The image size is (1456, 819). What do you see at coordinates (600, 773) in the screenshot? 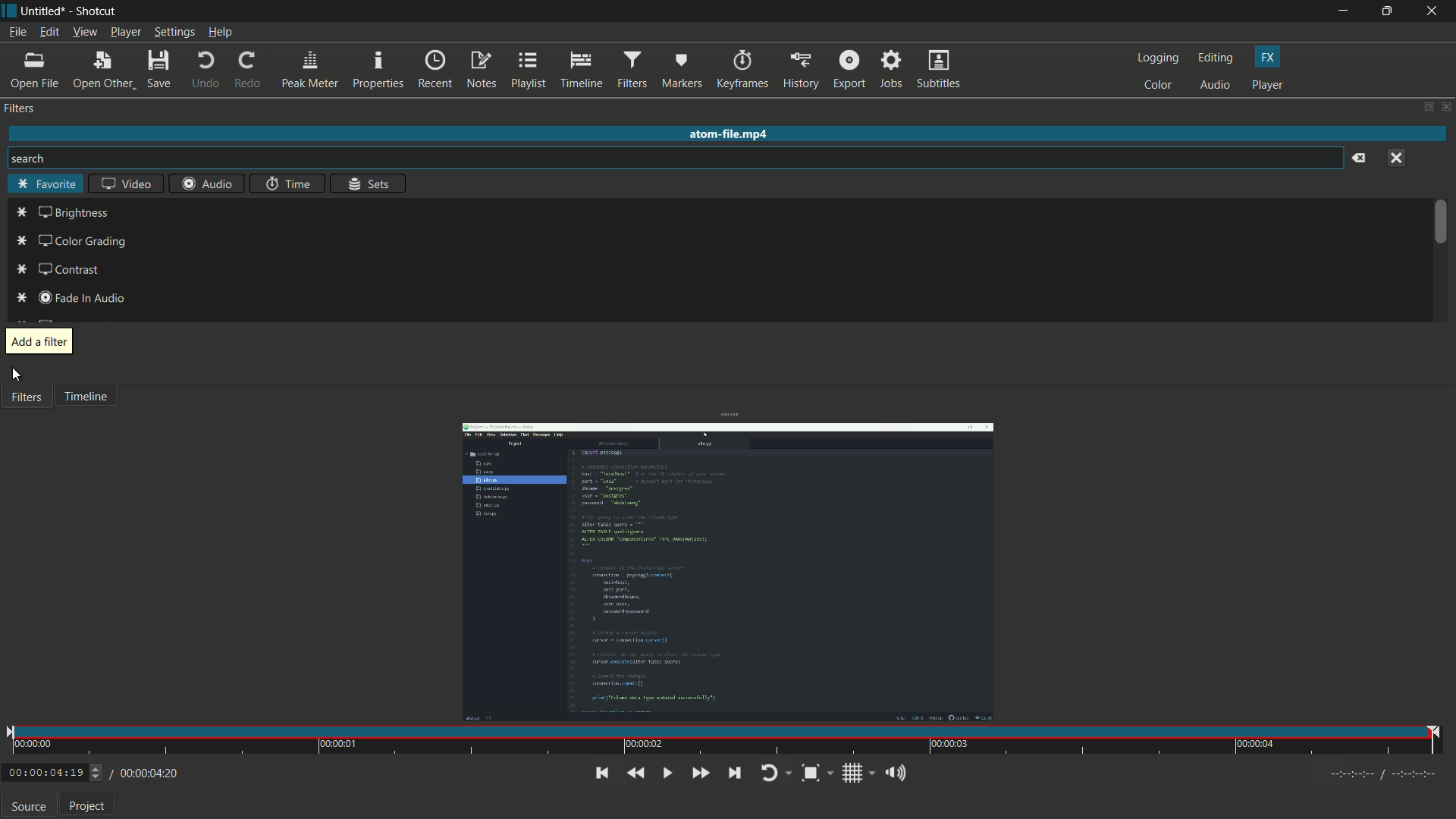
I see `skip to the previous point` at bounding box center [600, 773].